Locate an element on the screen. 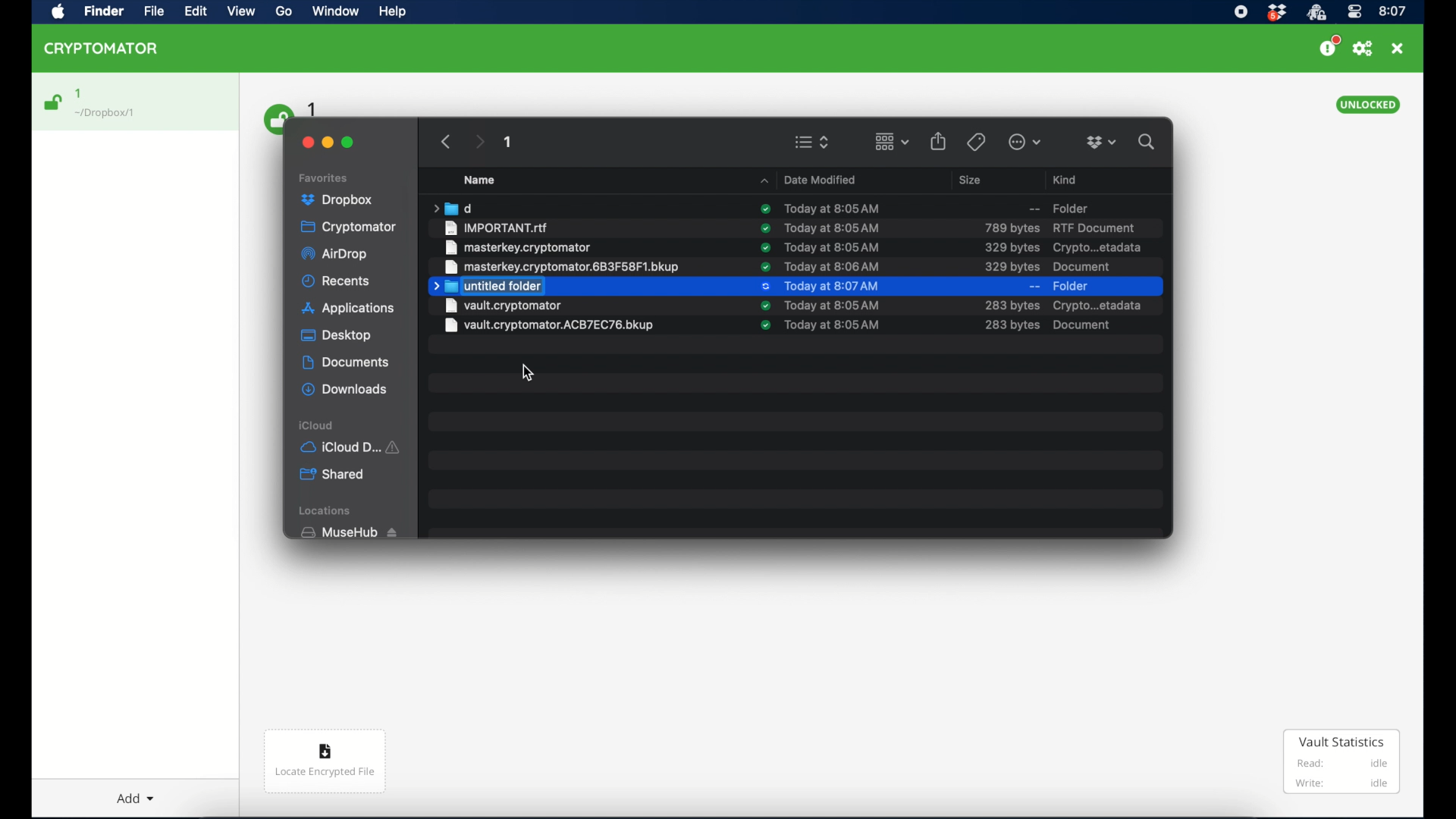  Name is located at coordinates (488, 180).